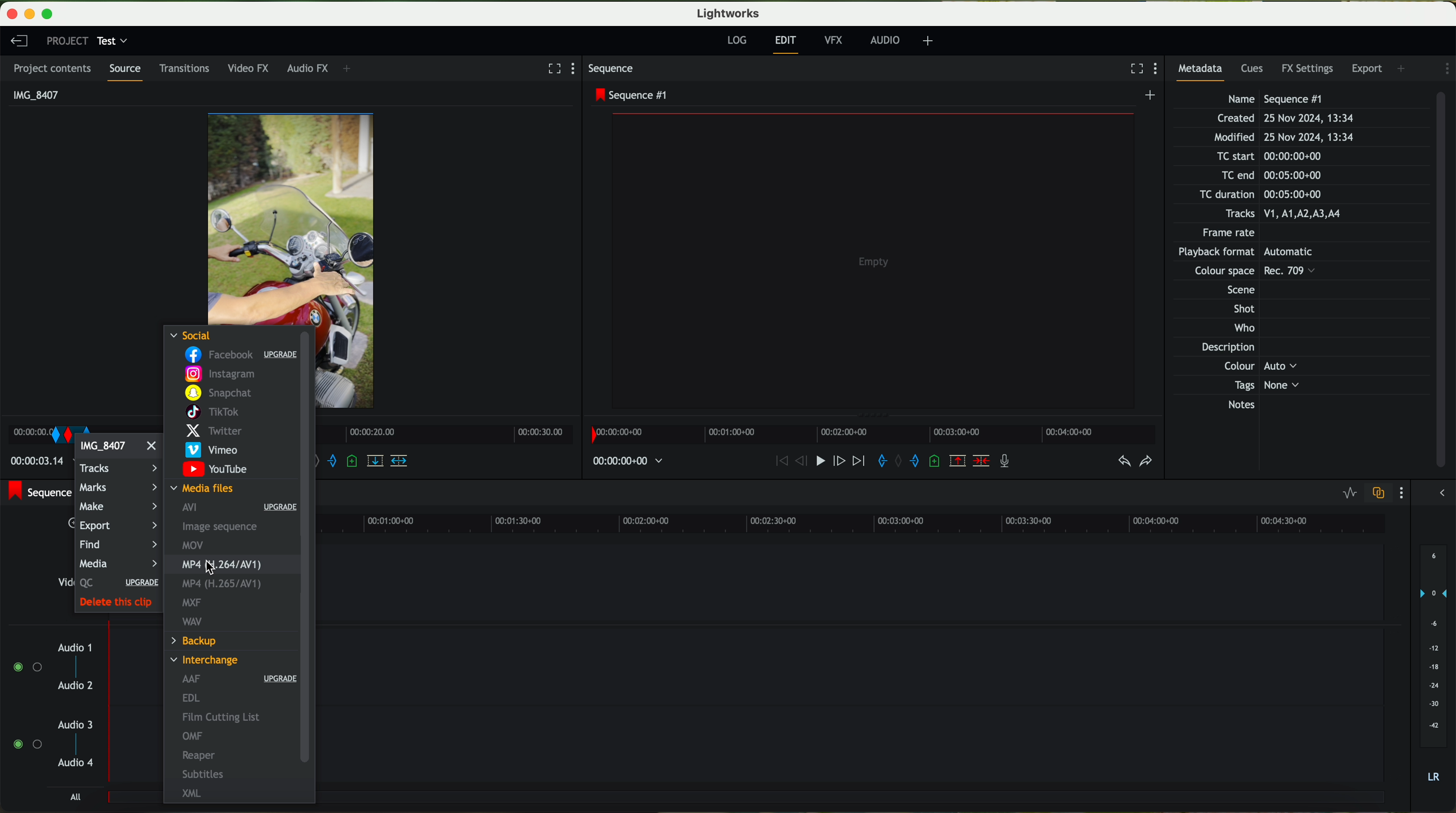  Describe the element at coordinates (1236, 288) in the screenshot. I see `` at that location.